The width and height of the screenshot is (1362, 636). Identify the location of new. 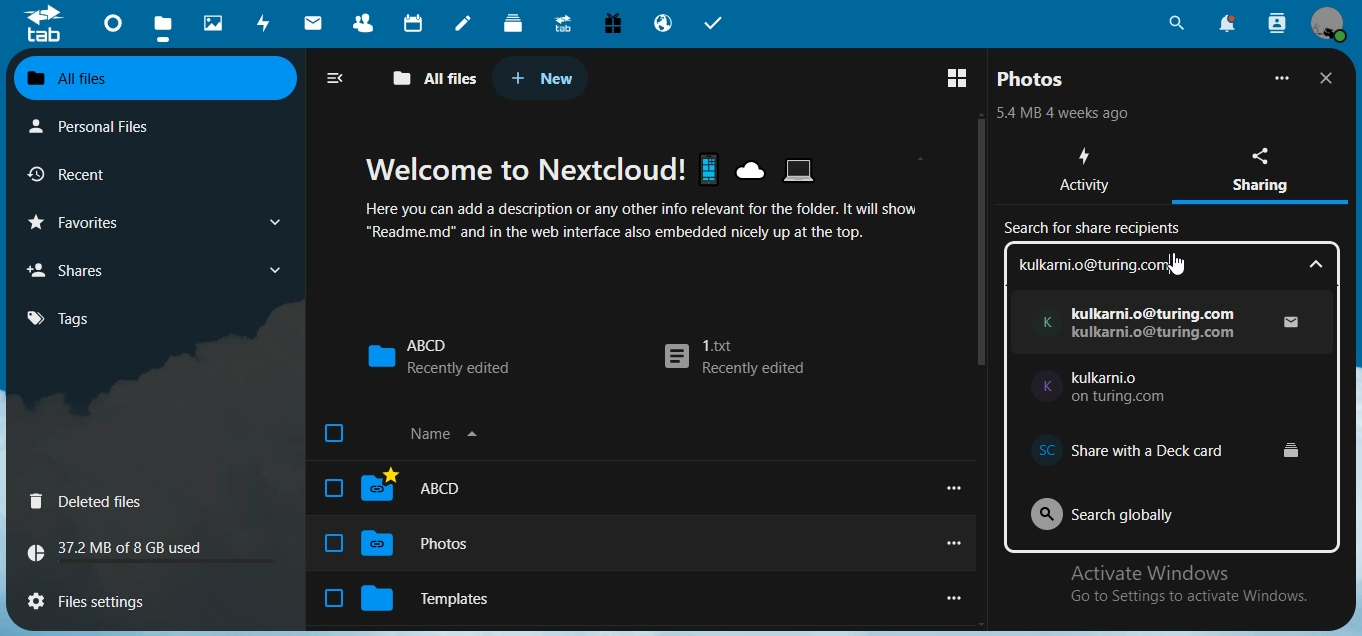
(542, 78).